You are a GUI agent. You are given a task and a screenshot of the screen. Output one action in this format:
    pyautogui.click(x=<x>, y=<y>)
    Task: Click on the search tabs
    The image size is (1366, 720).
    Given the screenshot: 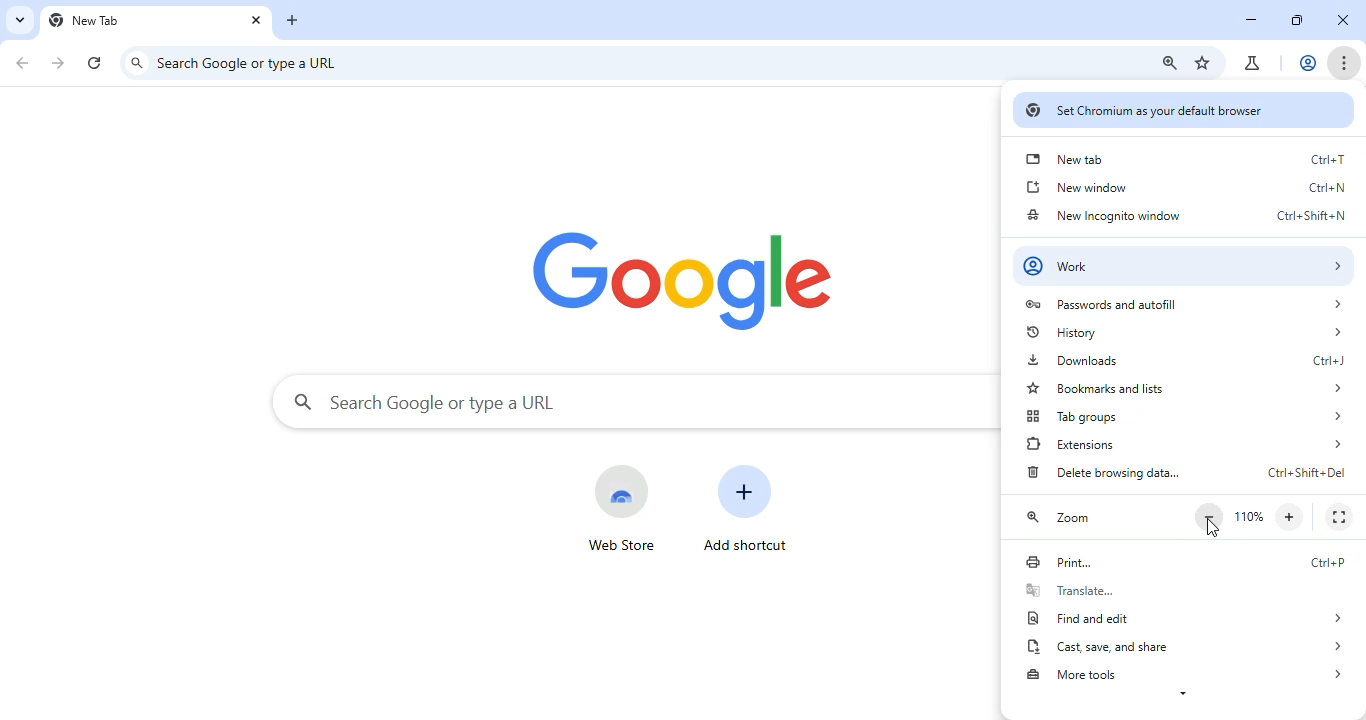 What is the action you would take?
    pyautogui.click(x=20, y=19)
    